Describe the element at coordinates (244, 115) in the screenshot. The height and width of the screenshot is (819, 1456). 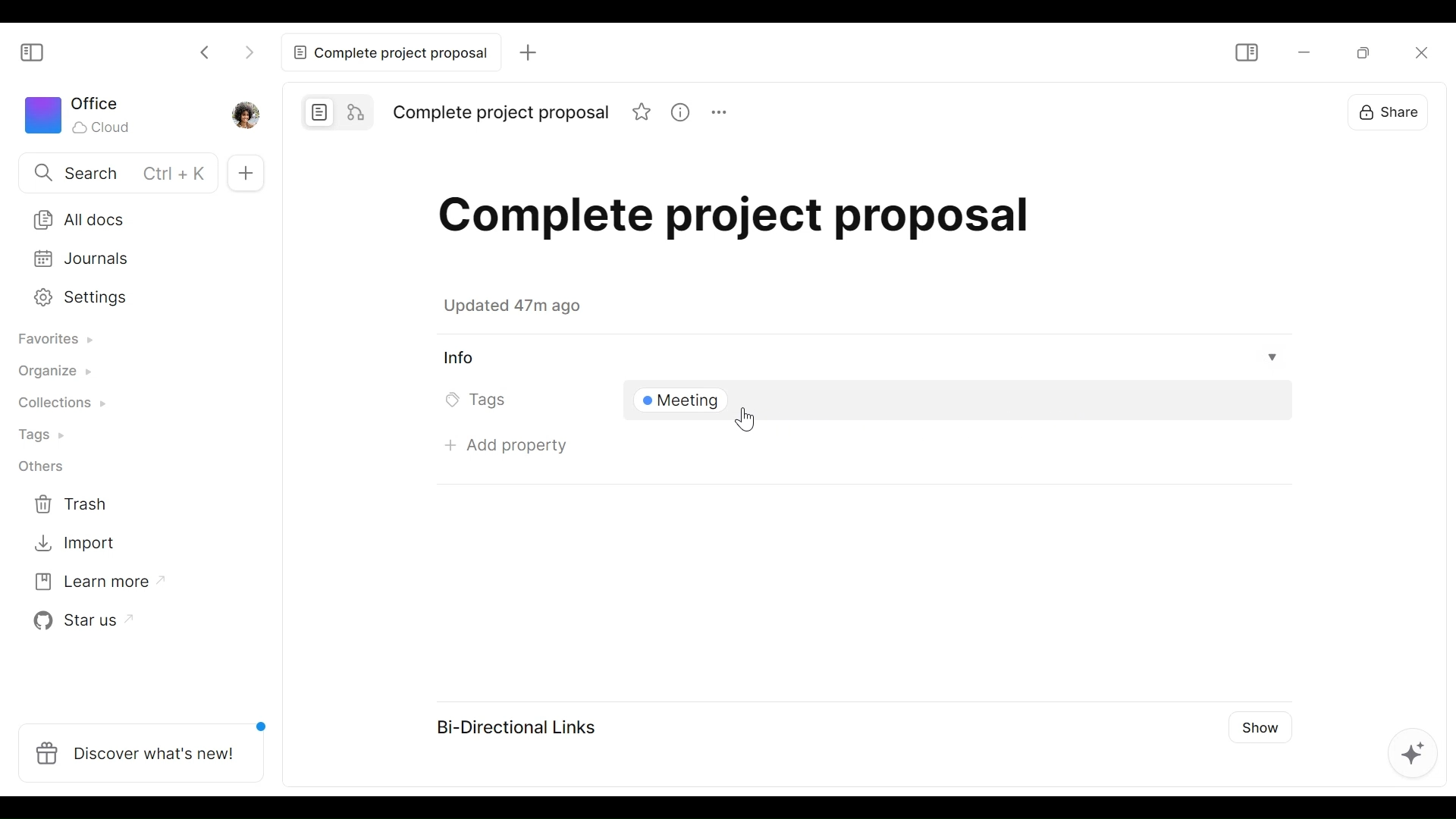
I see `Profile photo` at that location.